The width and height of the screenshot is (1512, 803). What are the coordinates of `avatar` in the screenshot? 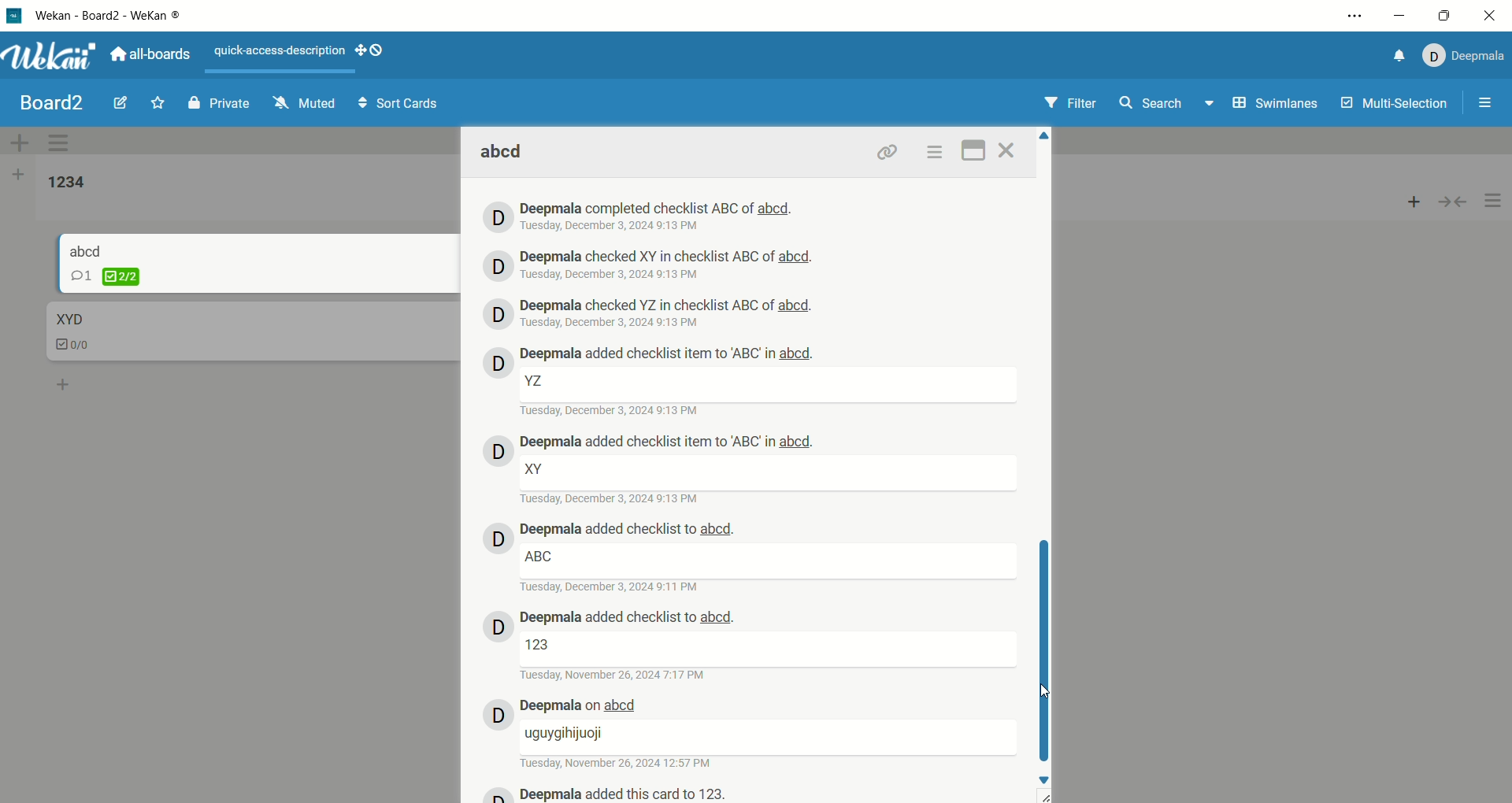 It's located at (498, 538).